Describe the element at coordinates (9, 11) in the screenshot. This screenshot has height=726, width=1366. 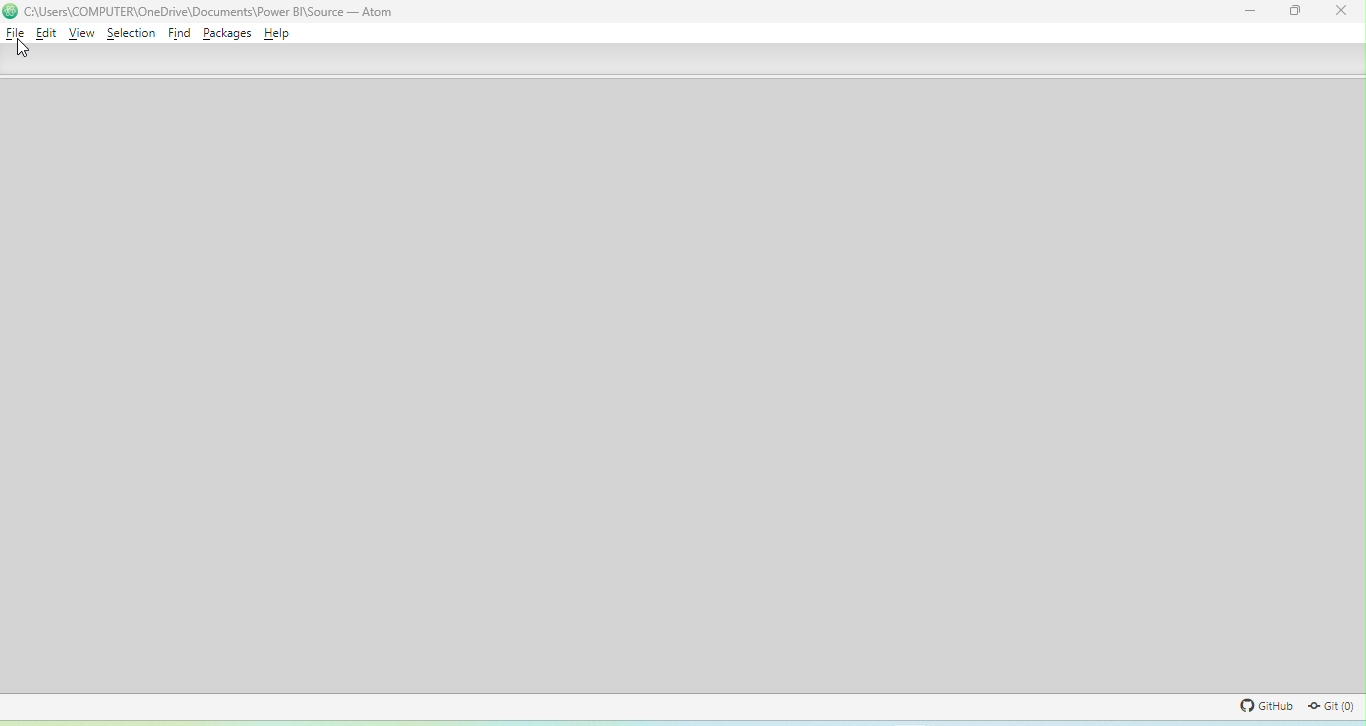
I see `app icon` at that location.